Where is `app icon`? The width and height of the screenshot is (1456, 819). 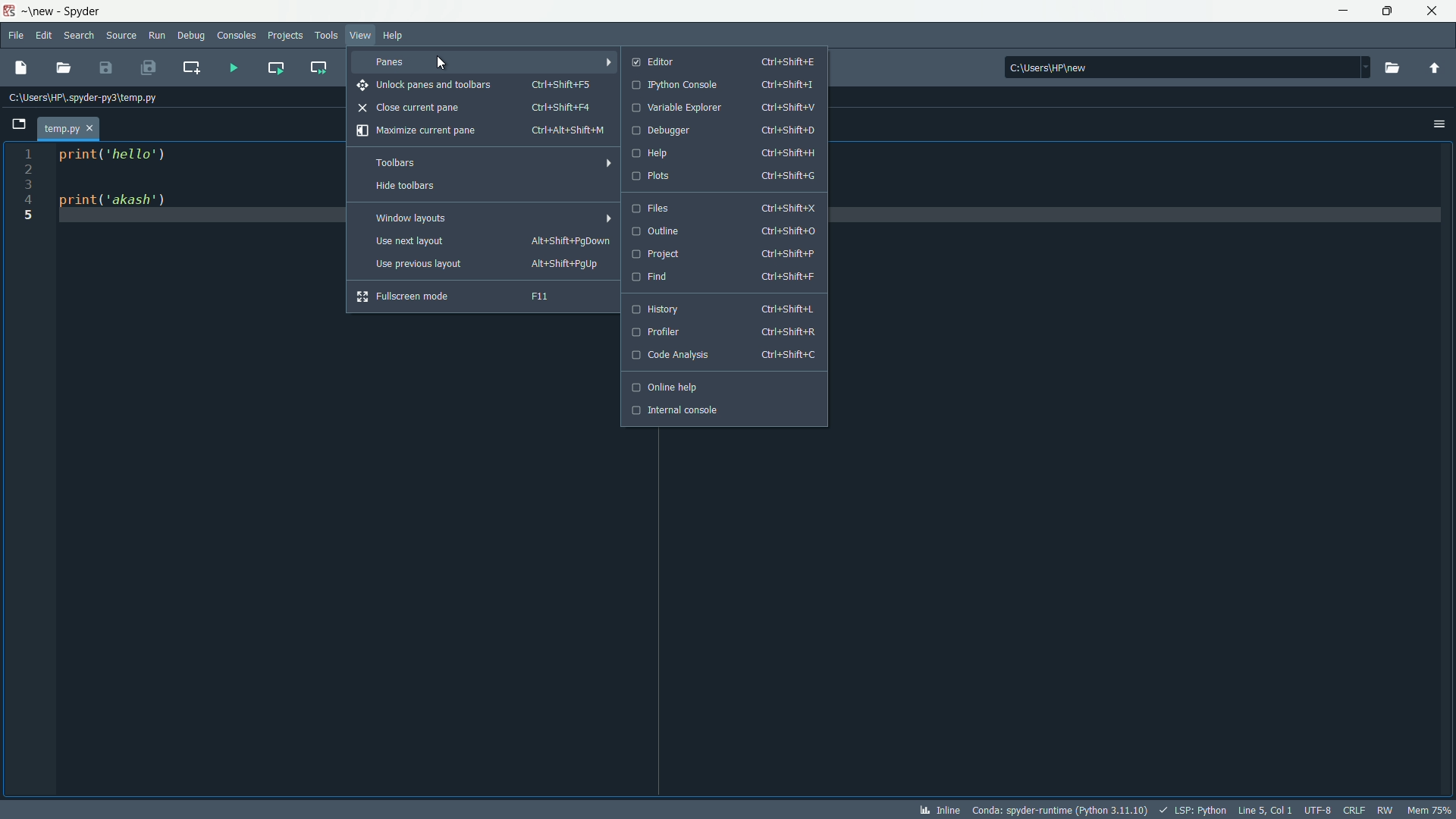
app icon is located at coordinates (11, 11).